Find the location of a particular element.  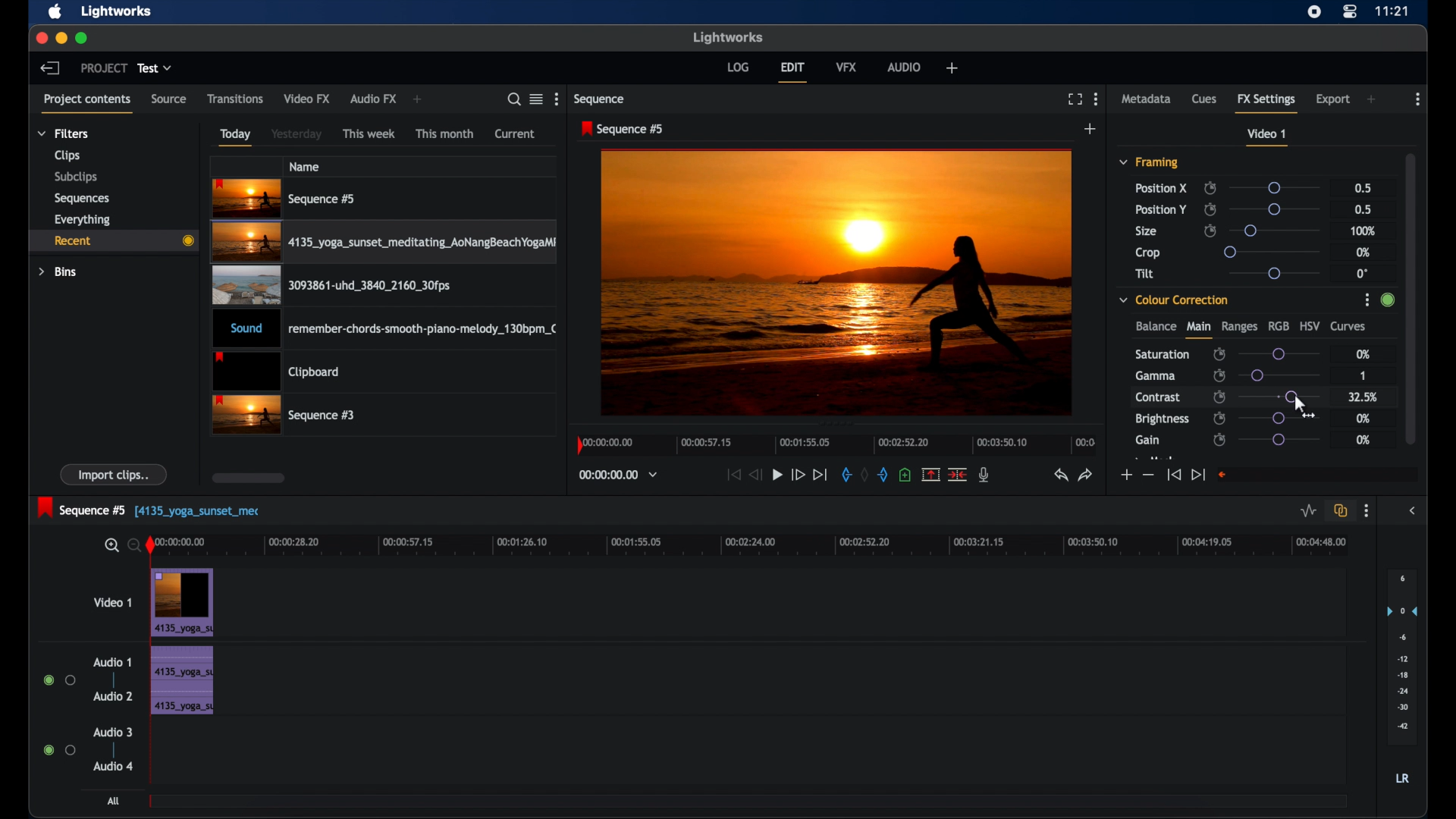

project contents is located at coordinates (86, 102).